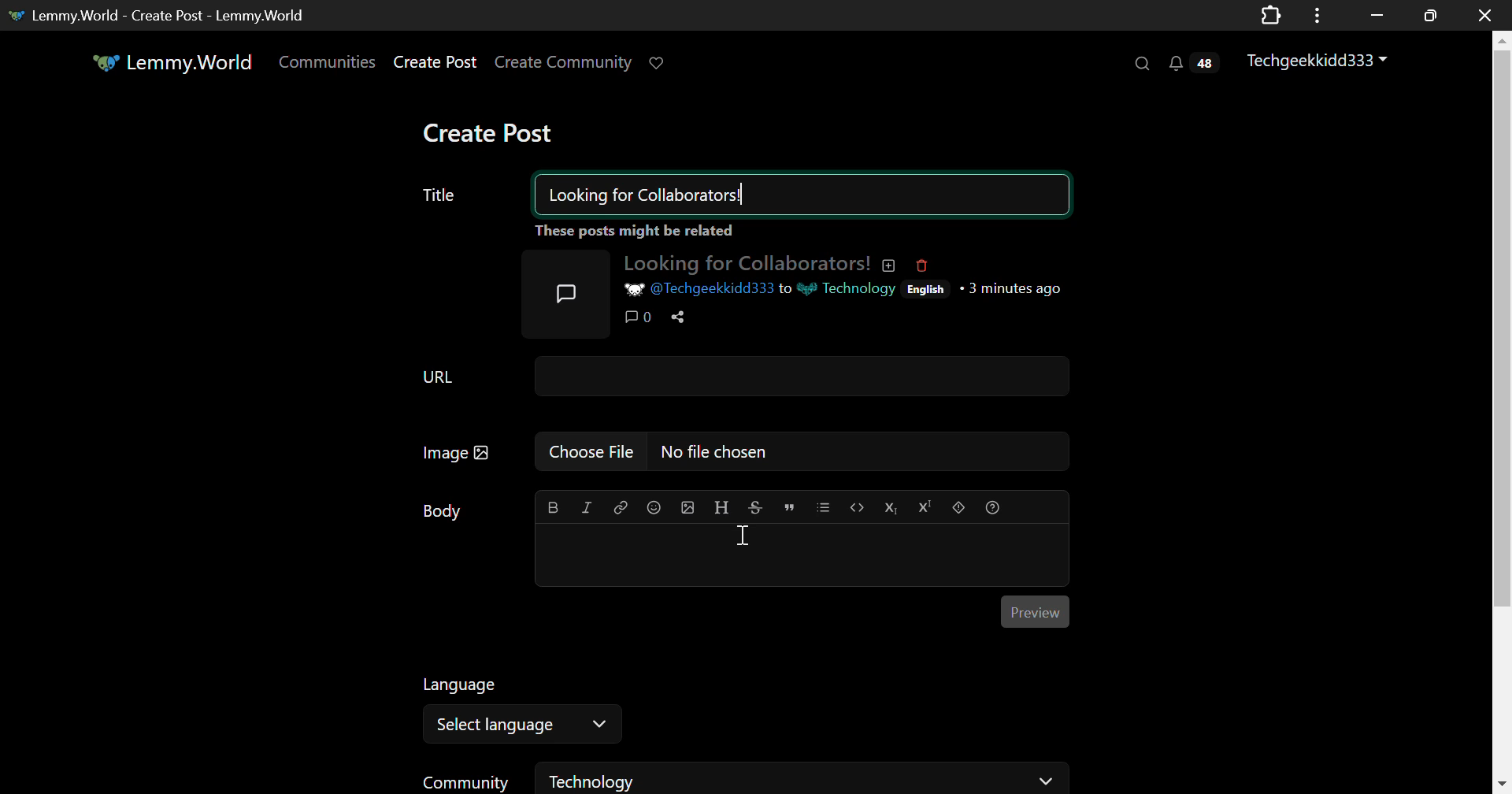  What do you see at coordinates (858, 507) in the screenshot?
I see `code` at bounding box center [858, 507].